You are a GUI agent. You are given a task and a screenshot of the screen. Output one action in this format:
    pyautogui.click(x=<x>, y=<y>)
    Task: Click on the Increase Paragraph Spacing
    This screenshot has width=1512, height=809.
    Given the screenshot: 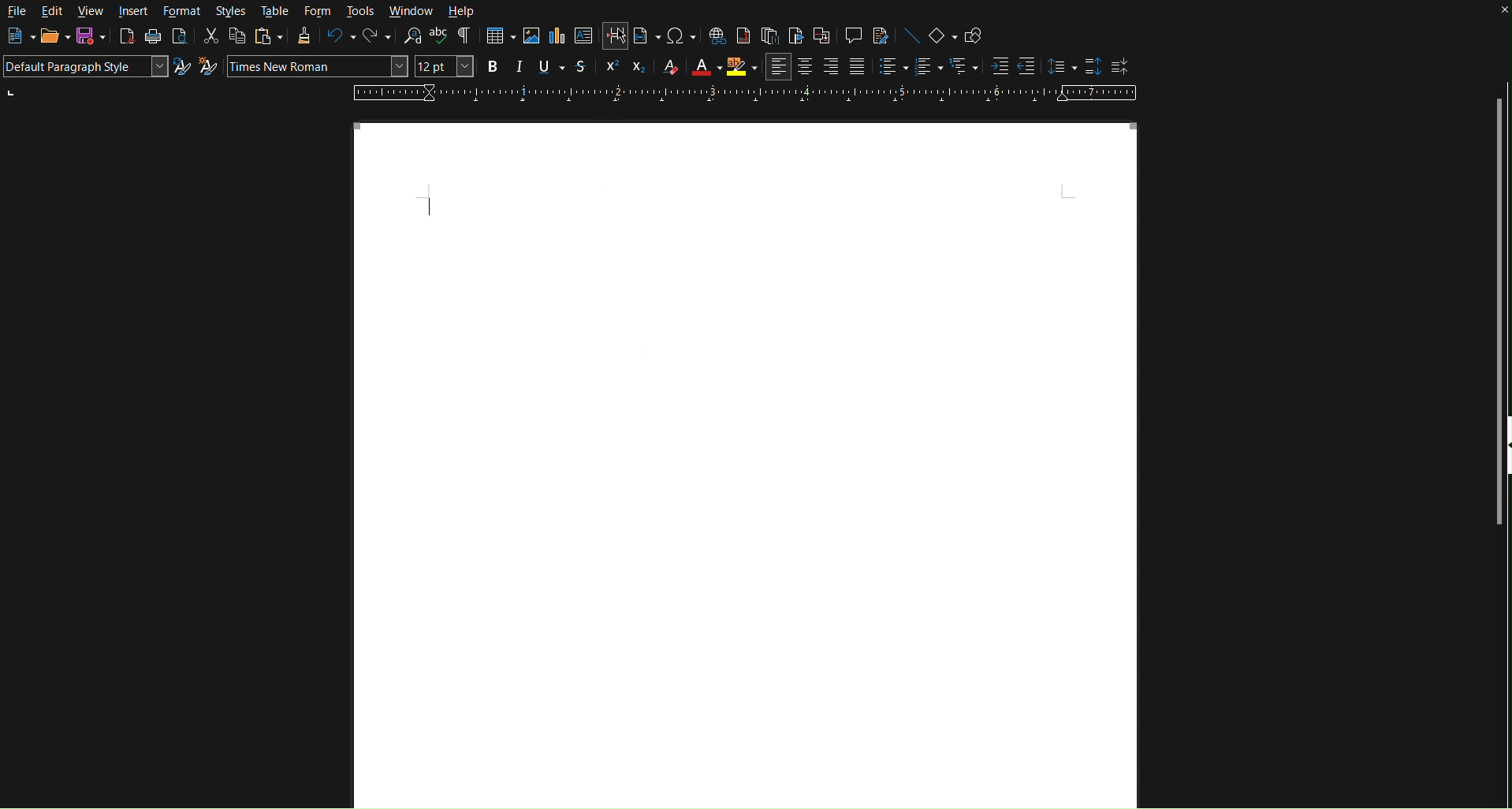 What is the action you would take?
    pyautogui.click(x=1090, y=65)
    